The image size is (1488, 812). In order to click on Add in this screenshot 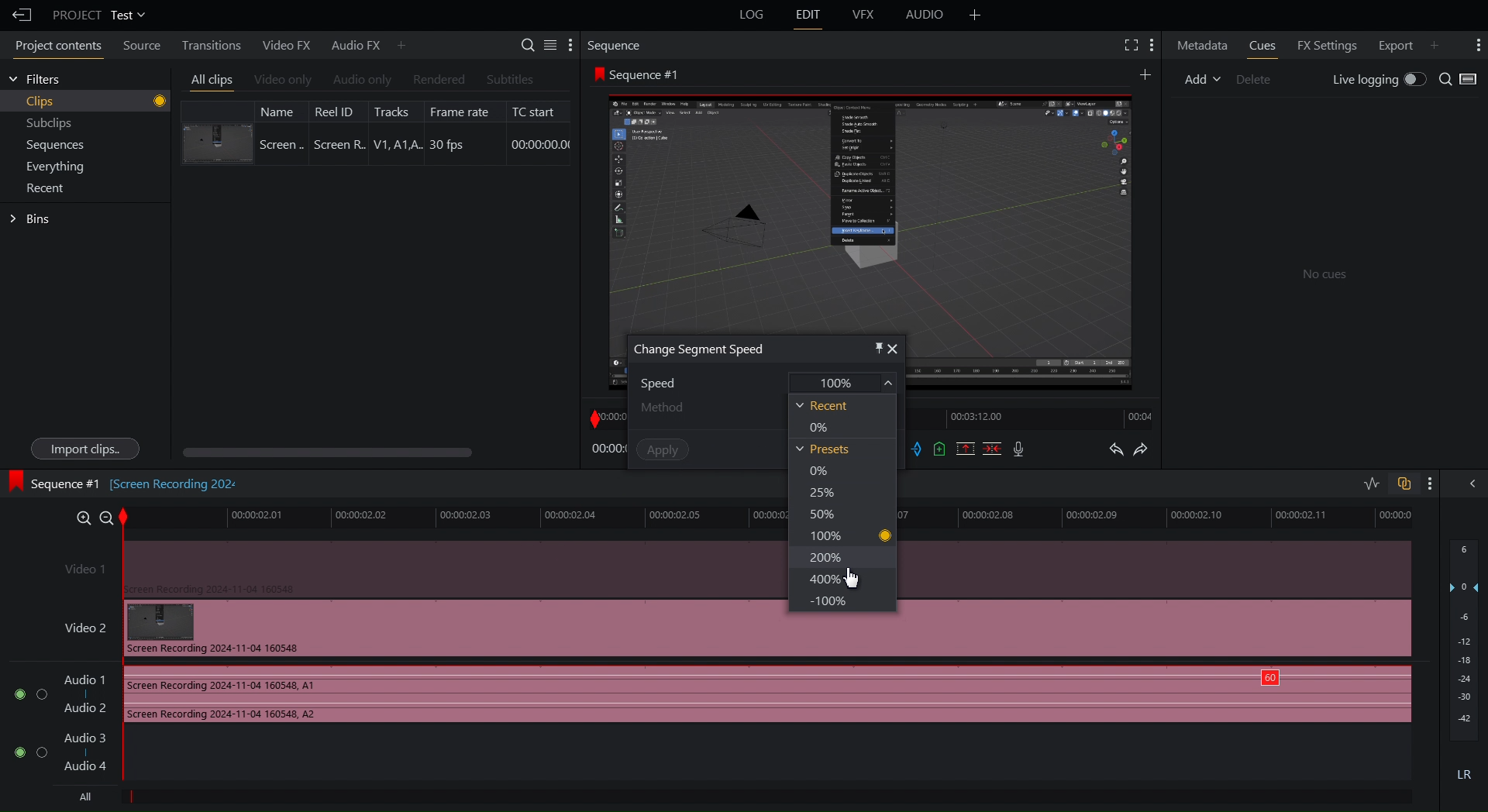, I will do `click(1147, 74)`.